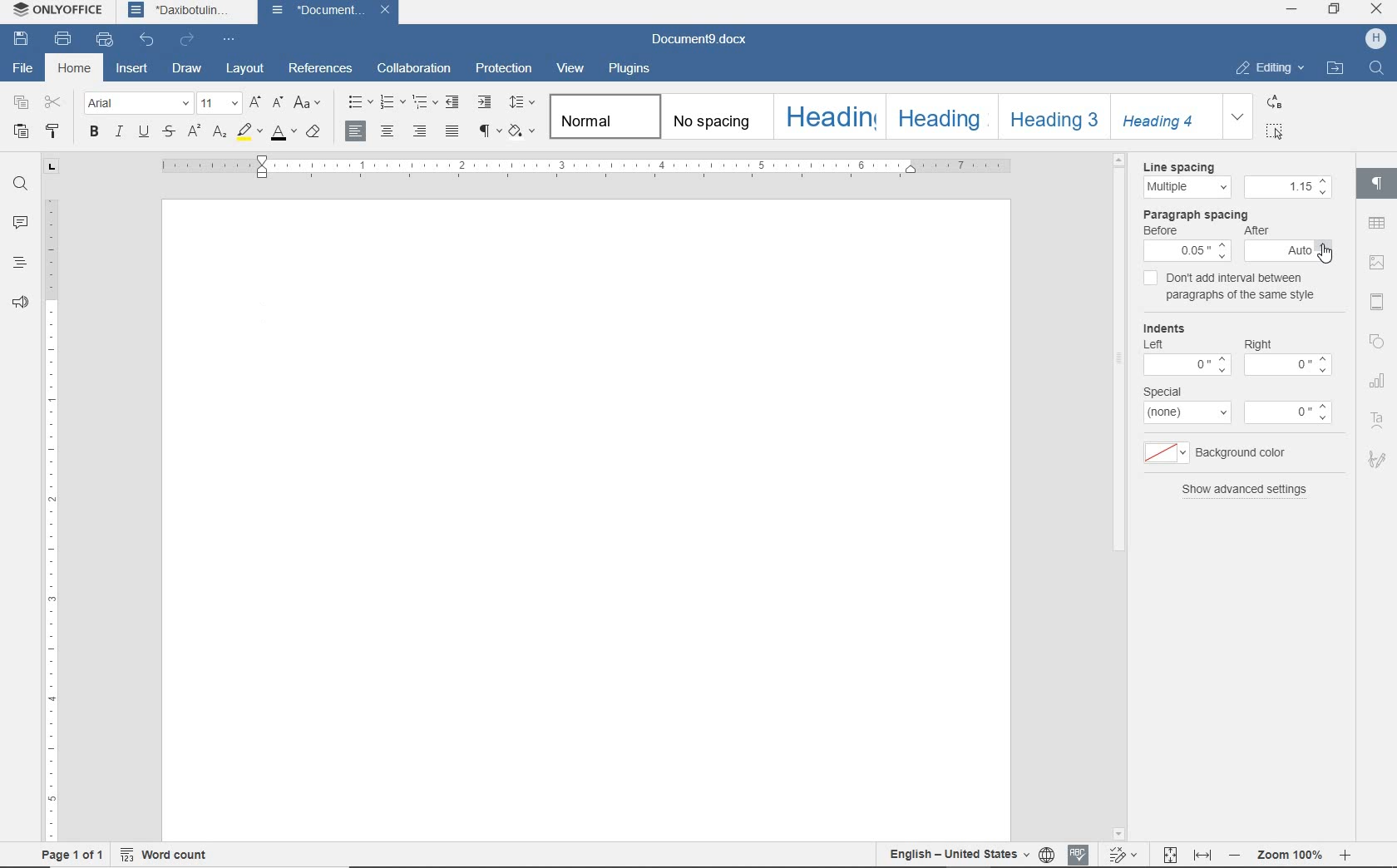 The image size is (1397, 868). What do you see at coordinates (1170, 855) in the screenshot?
I see `fit to page` at bounding box center [1170, 855].